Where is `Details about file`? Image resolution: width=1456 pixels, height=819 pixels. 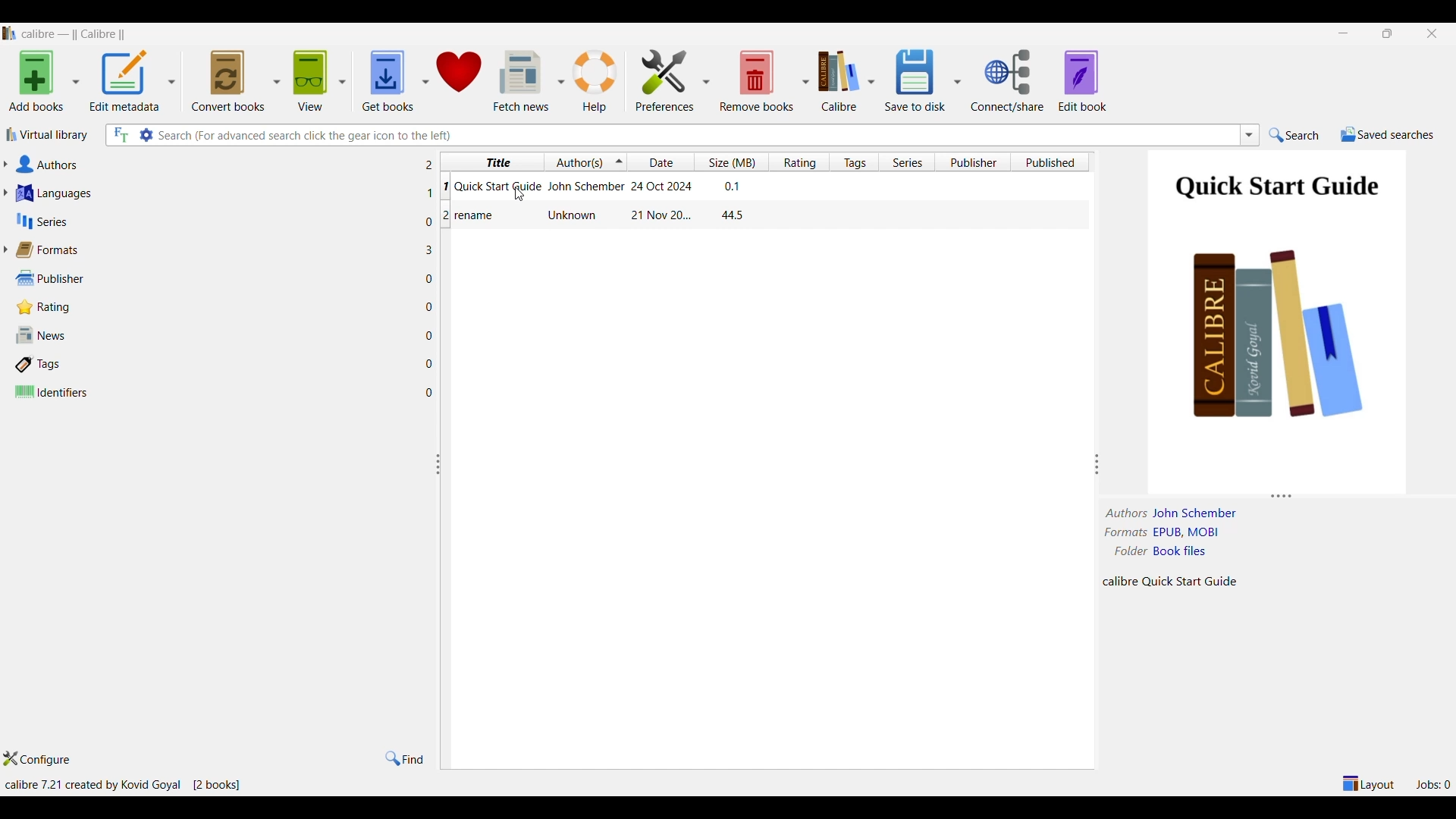
Details about file is located at coordinates (1172, 582).